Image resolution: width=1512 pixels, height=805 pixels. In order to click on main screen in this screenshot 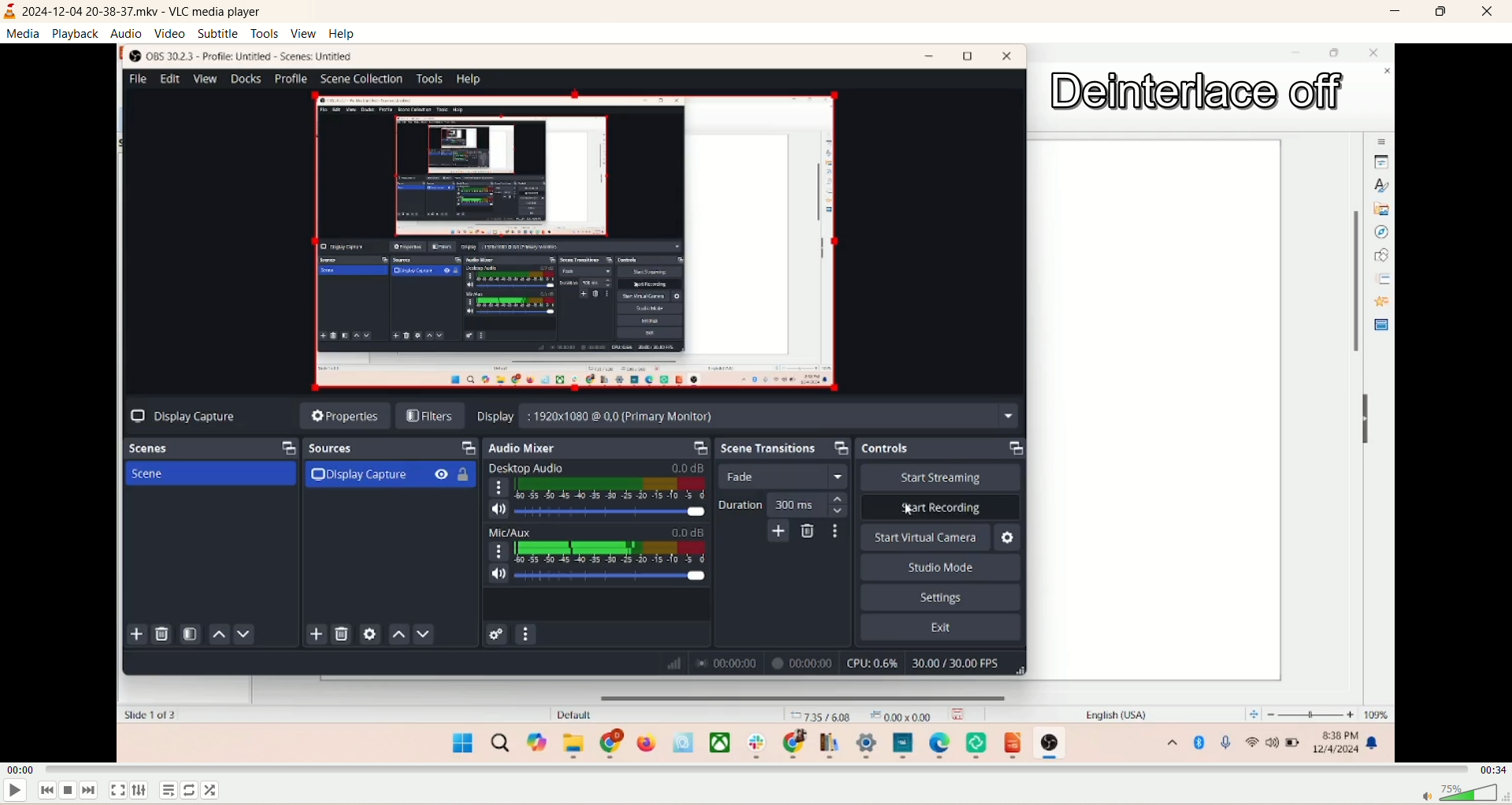, I will do `click(521, 402)`.